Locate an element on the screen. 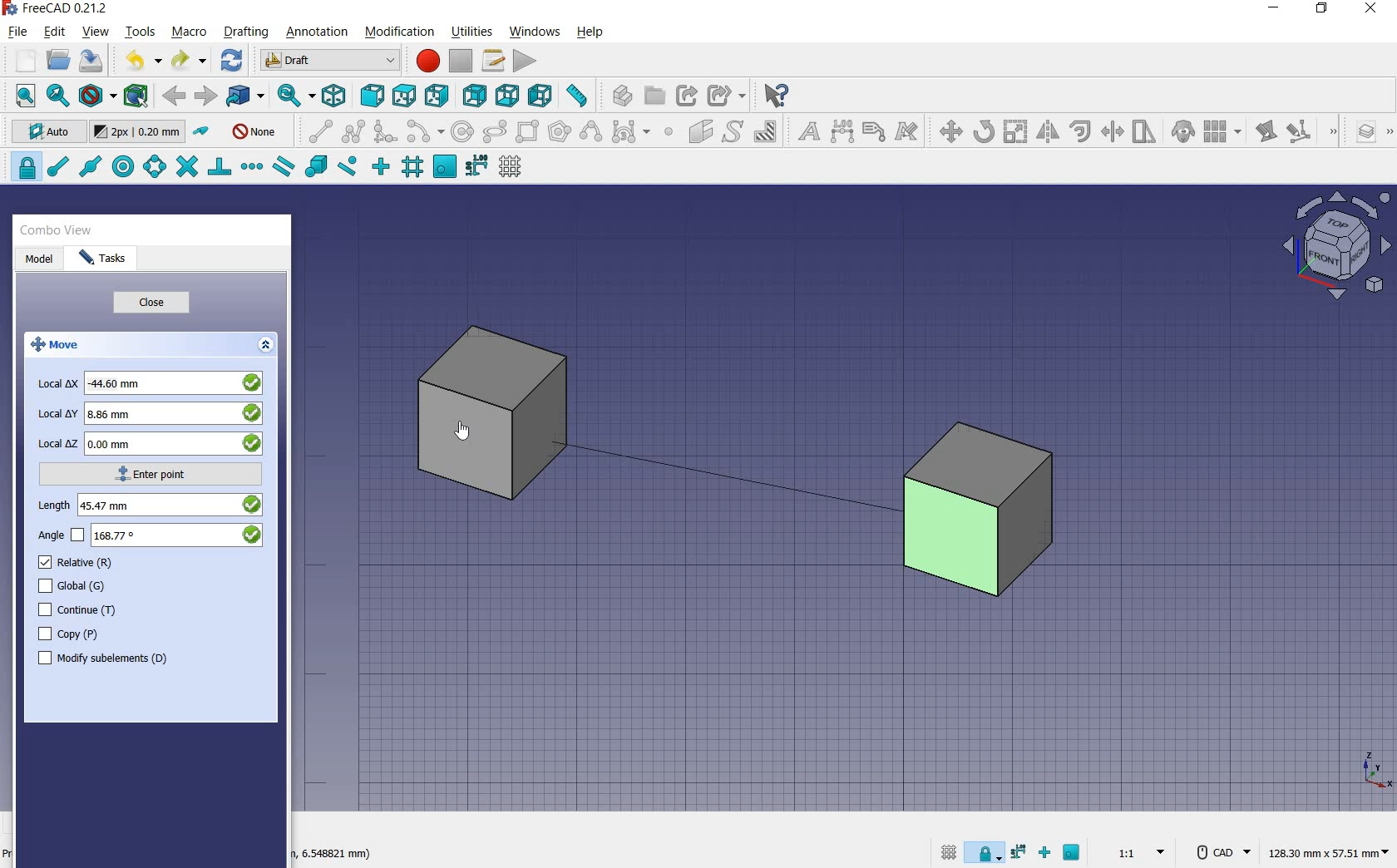 Image resolution: width=1397 pixels, height=868 pixels. back is located at coordinates (175, 96).